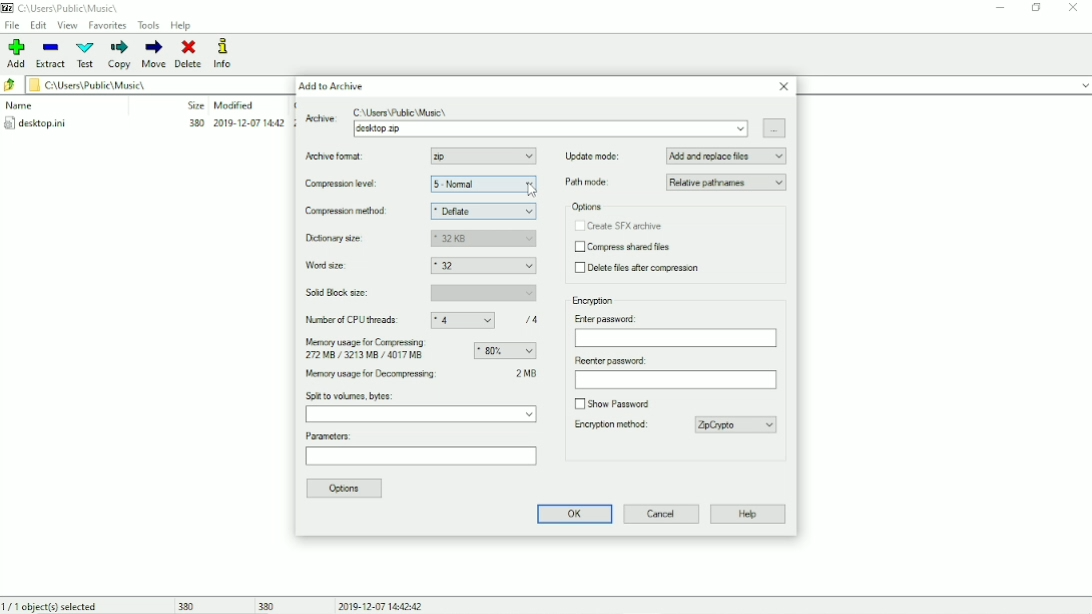 The image size is (1092, 614). What do you see at coordinates (675, 373) in the screenshot?
I see `Reenter password` at bounding box center [675, 373].